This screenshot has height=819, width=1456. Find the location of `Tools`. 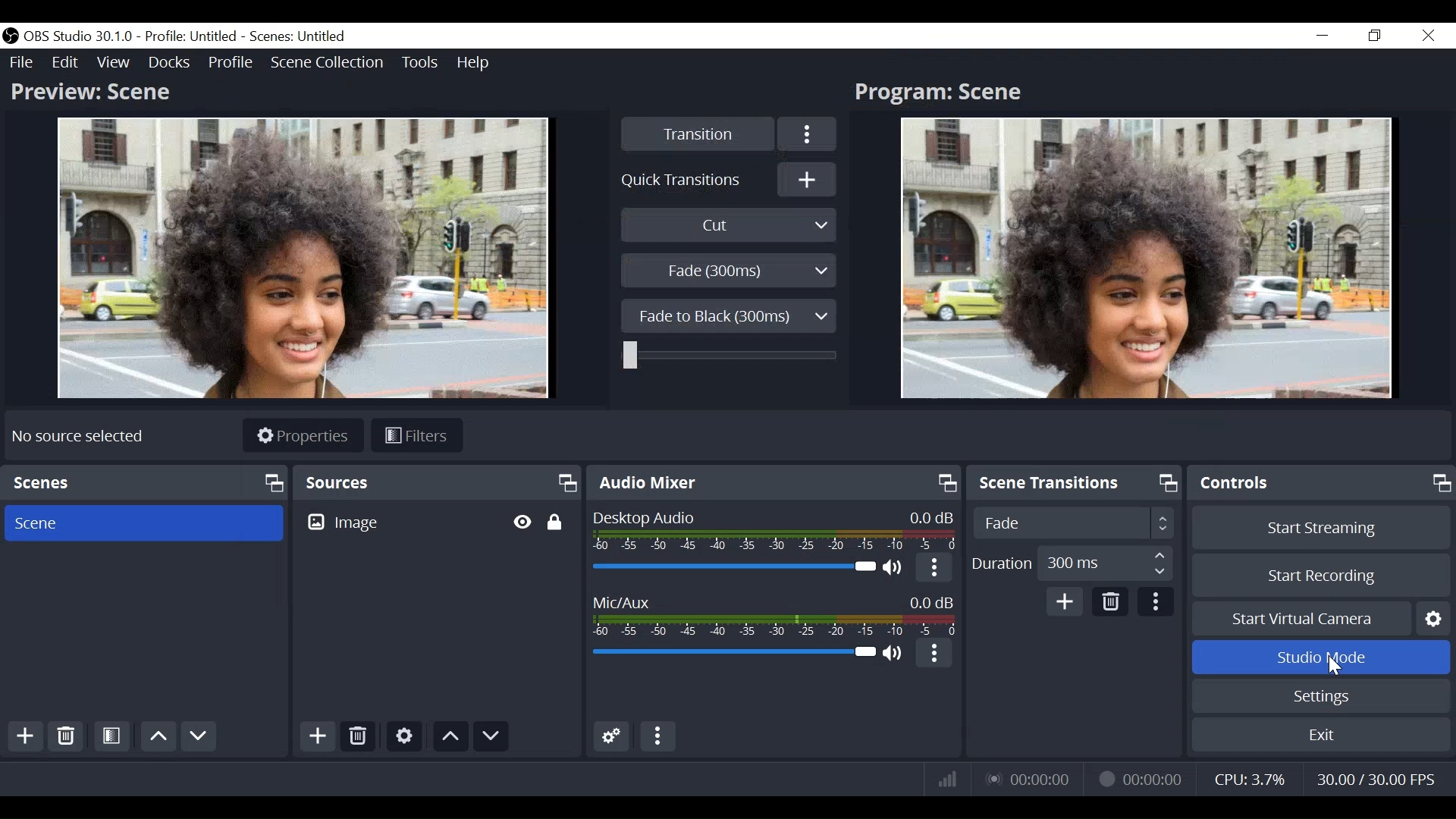

Tools is located at coordinates (420, 64).